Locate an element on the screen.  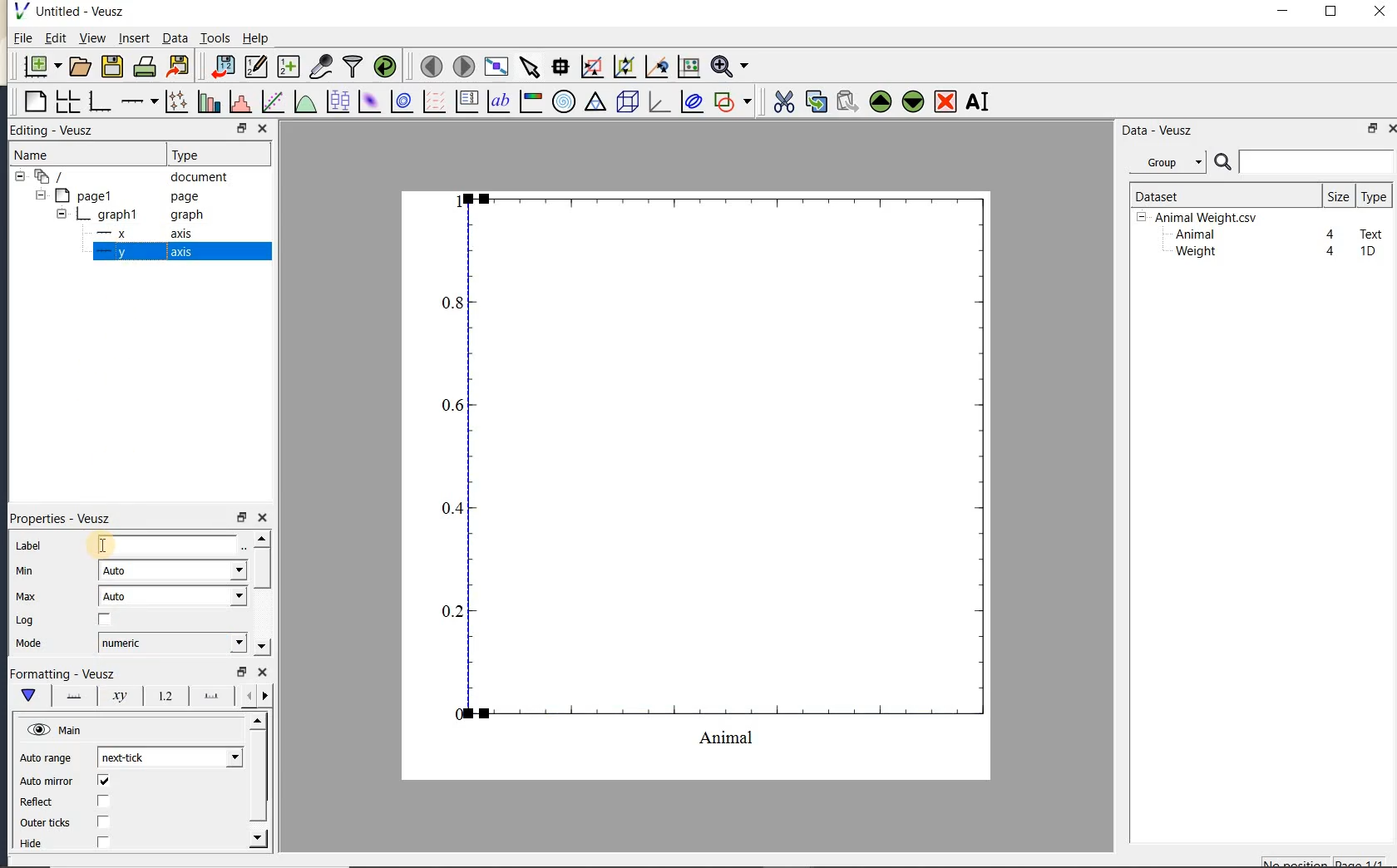
base graph is located at coordinates (98, 101).